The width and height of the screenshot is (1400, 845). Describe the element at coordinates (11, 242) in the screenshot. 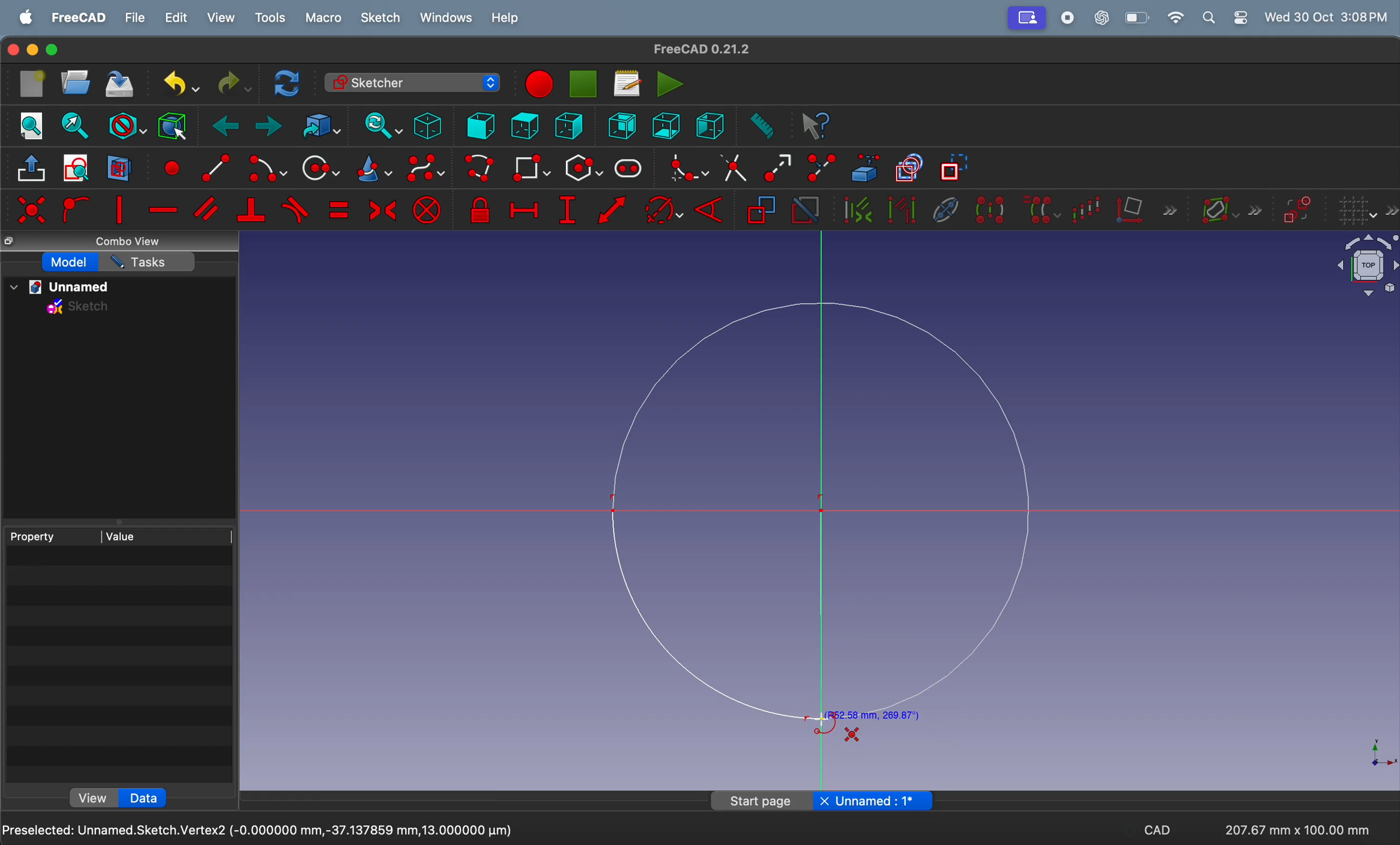

I see `copy` at that location.